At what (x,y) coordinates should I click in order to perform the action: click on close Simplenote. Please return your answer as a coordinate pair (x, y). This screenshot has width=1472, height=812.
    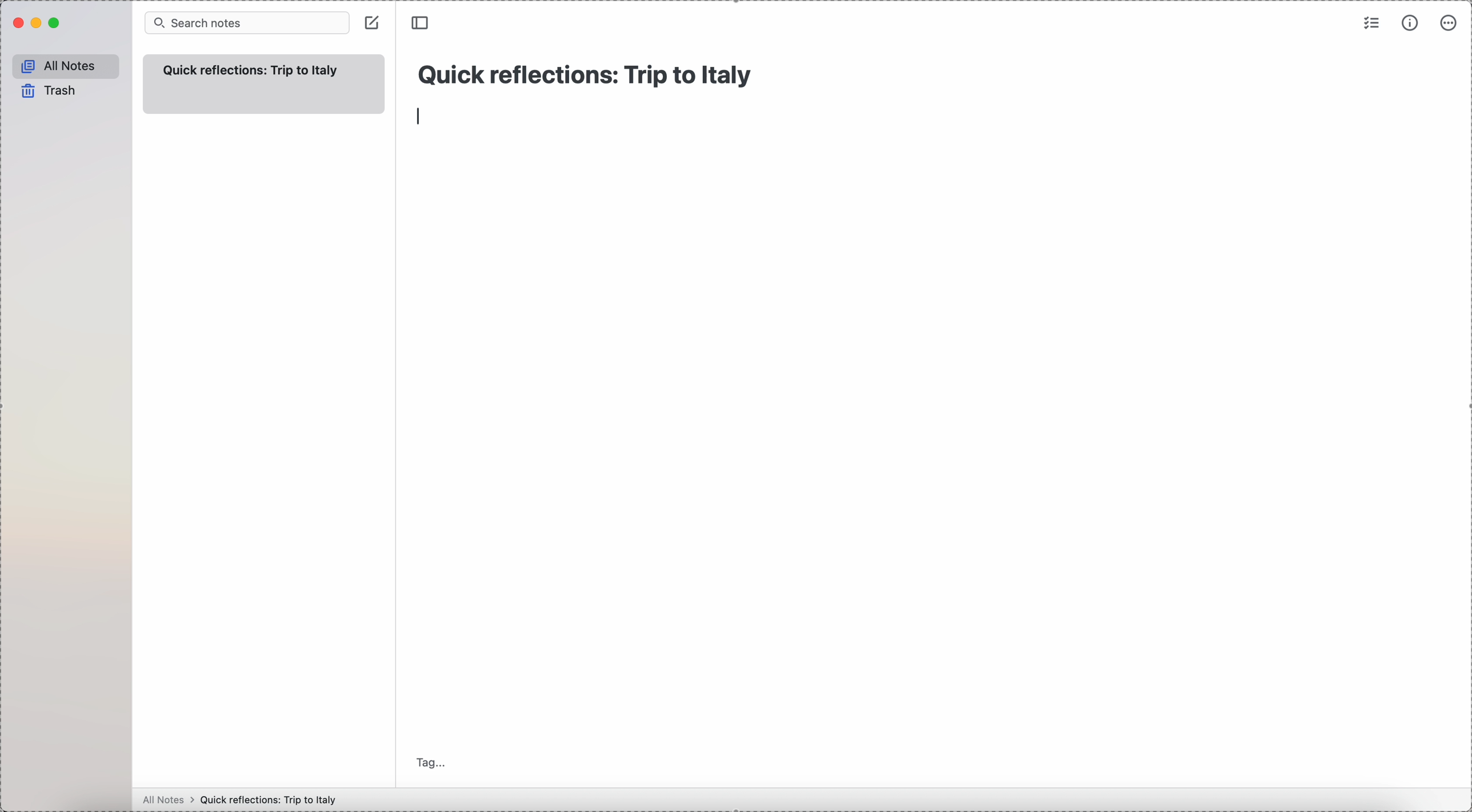
    Looking at the image, I should click on (17, 23).